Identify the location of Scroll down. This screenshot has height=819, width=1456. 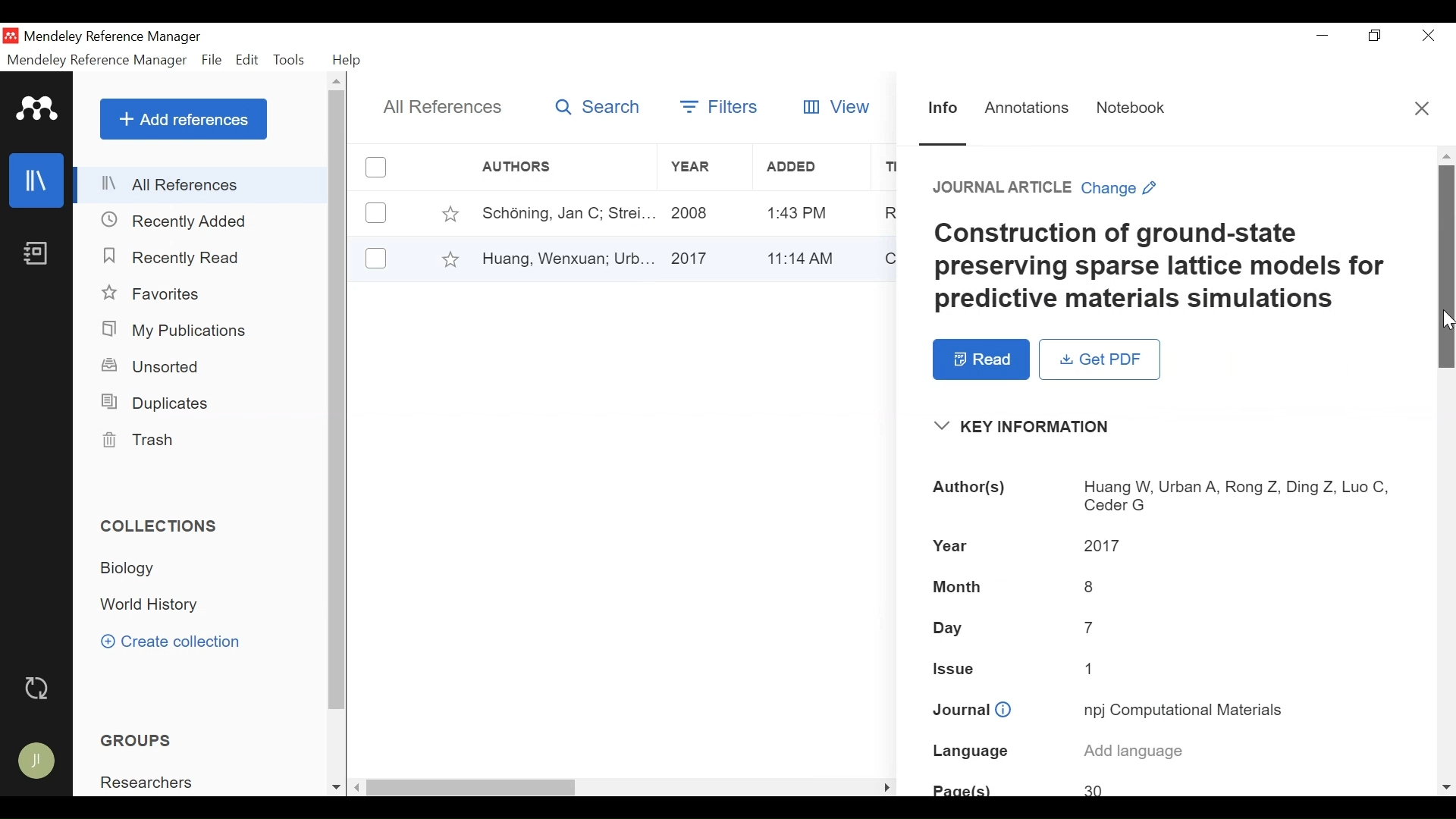
(1447, 789).